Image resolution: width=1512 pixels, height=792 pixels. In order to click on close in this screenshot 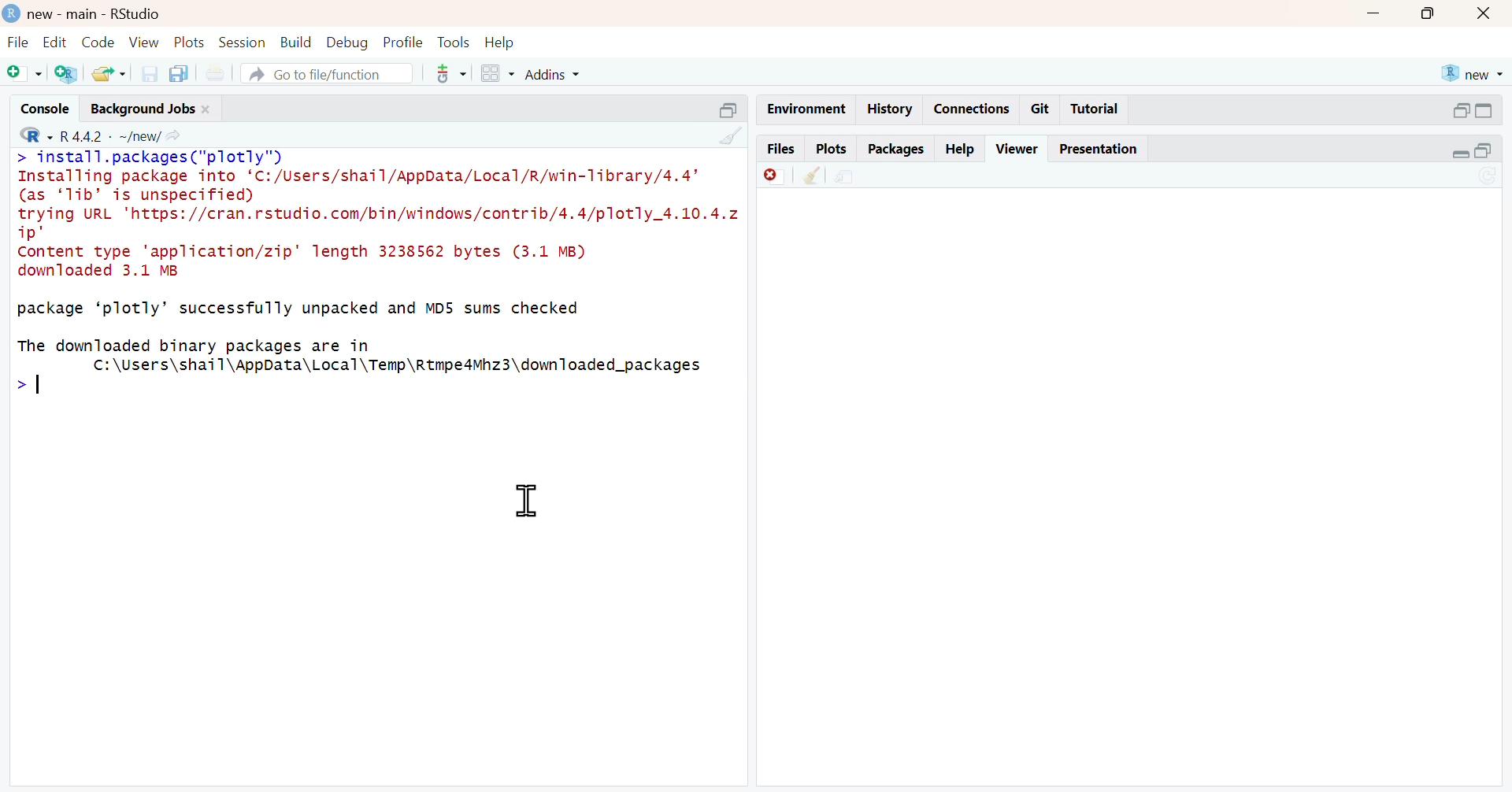, I will do `click(1488, 13)`.